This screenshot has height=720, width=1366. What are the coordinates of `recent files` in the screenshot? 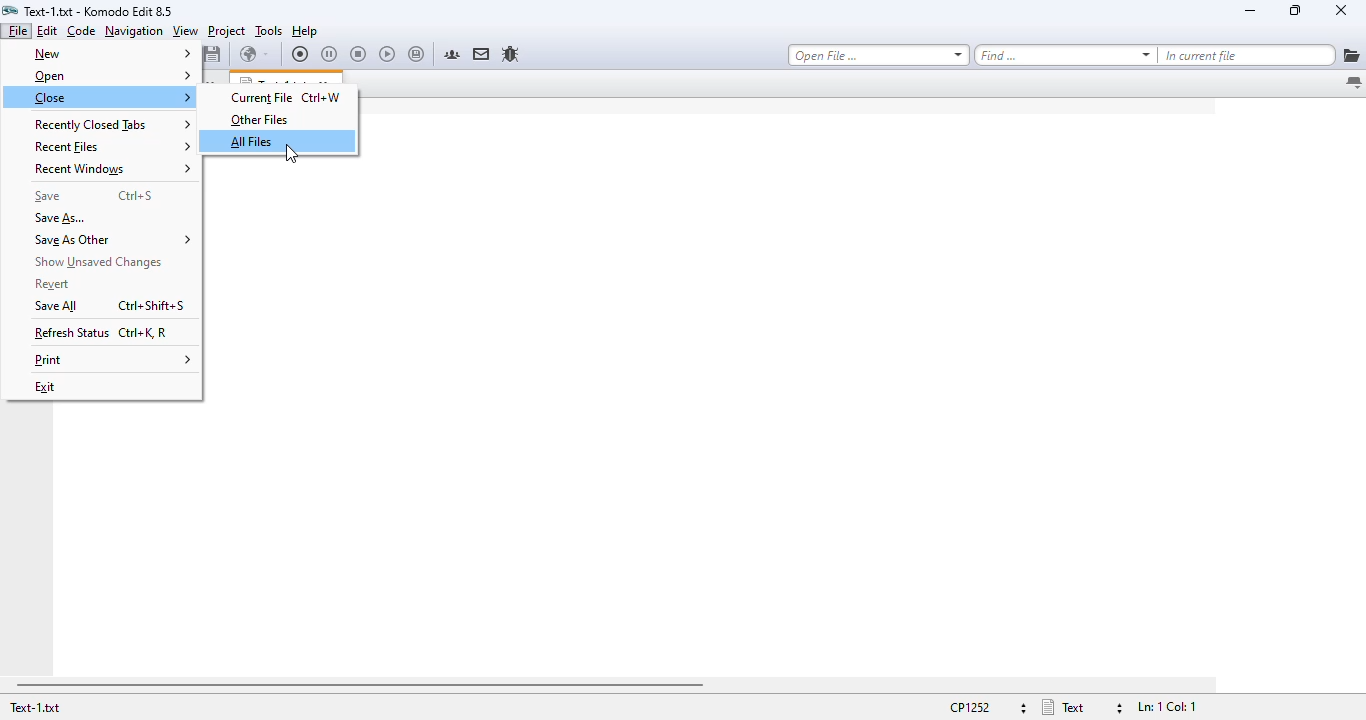 It's located at (112, 147).